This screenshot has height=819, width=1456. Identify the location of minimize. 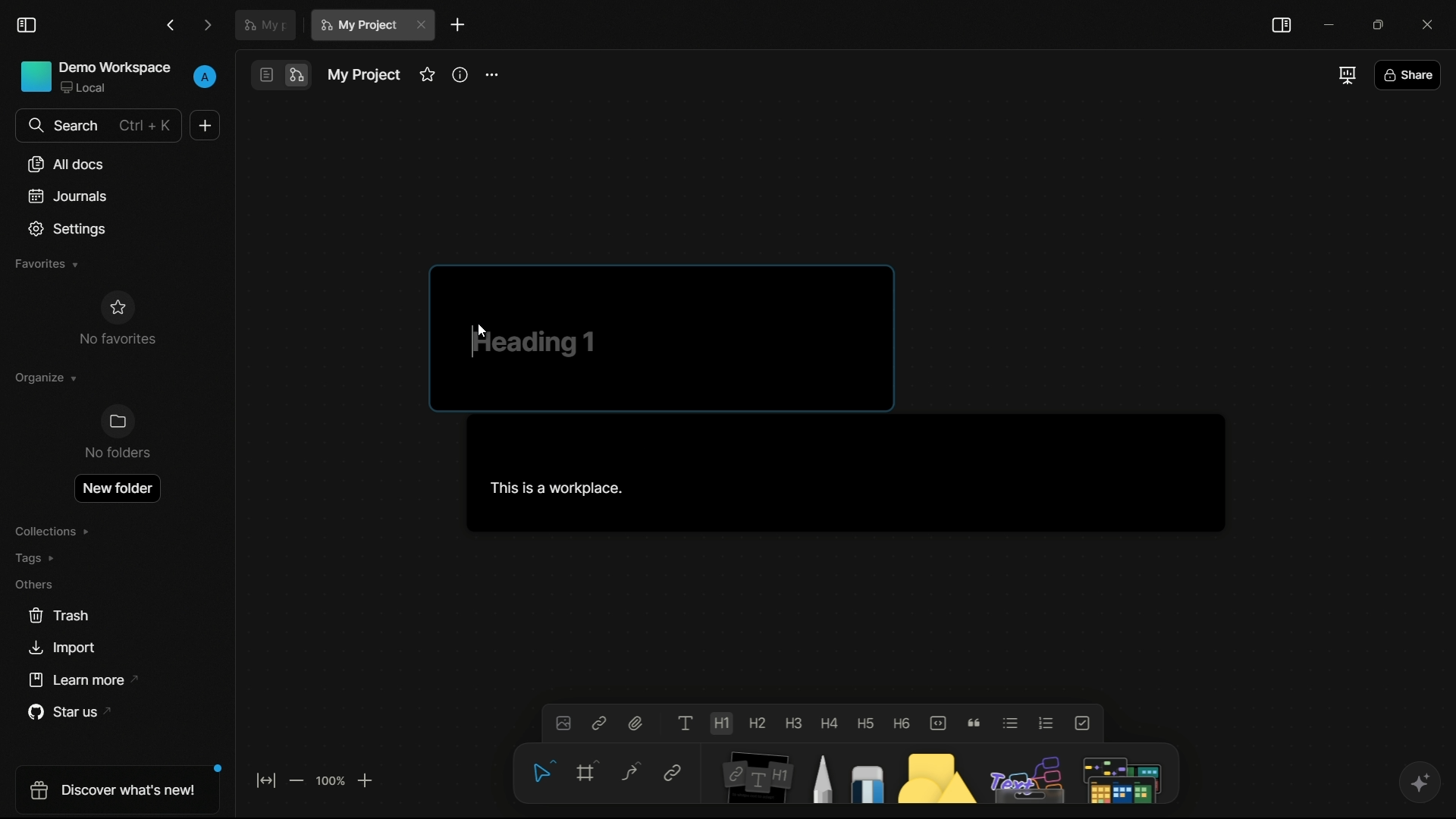
(1328, 24).